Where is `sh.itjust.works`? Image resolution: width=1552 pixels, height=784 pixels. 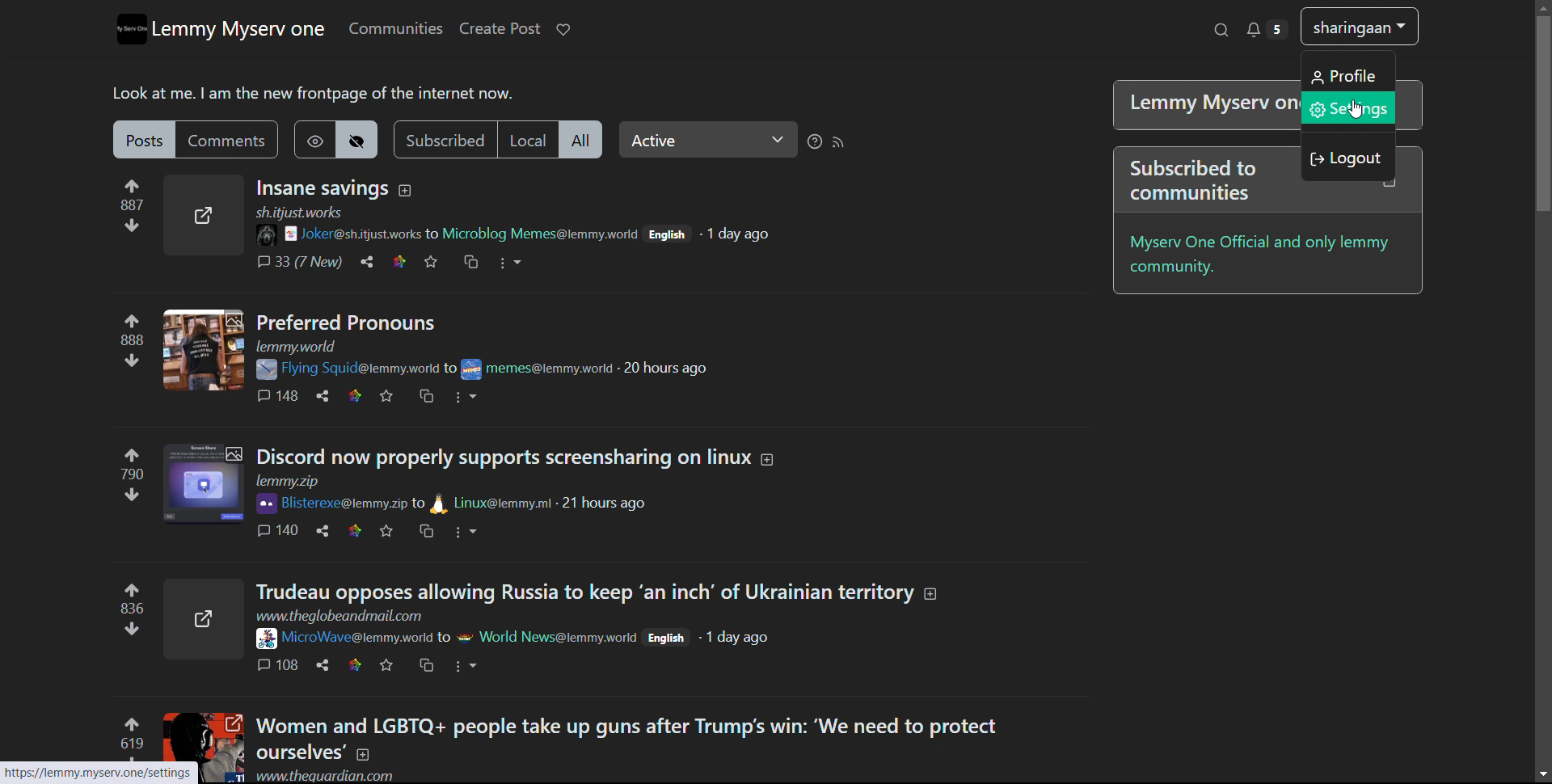 sh.itjust.works is located at coordinates (301, 213).